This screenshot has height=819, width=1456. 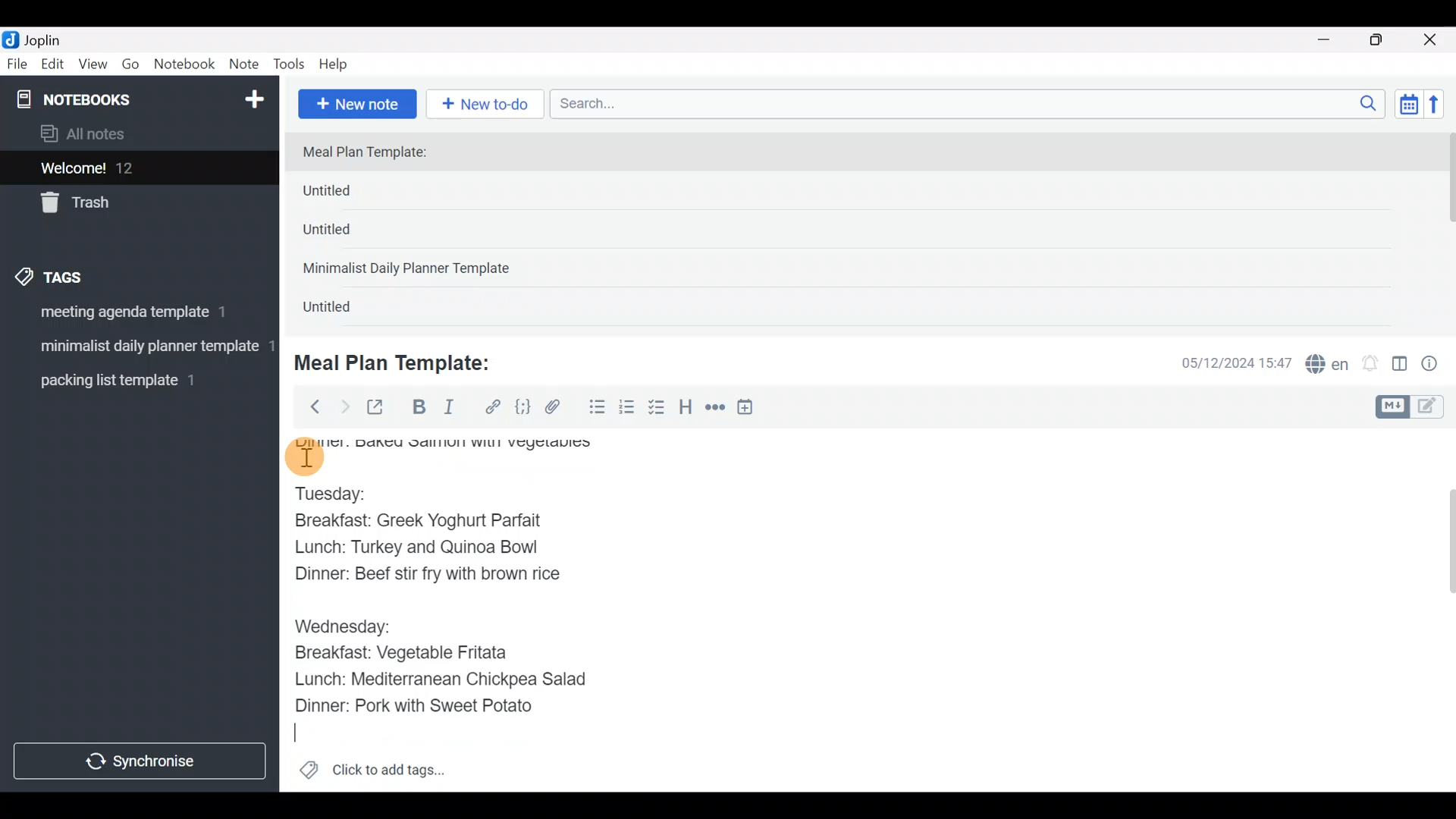 What do you see at coordinates (1401, 366) in the screenshot?
I see `Toggle editor layout` at bounding box center [1401, 366].